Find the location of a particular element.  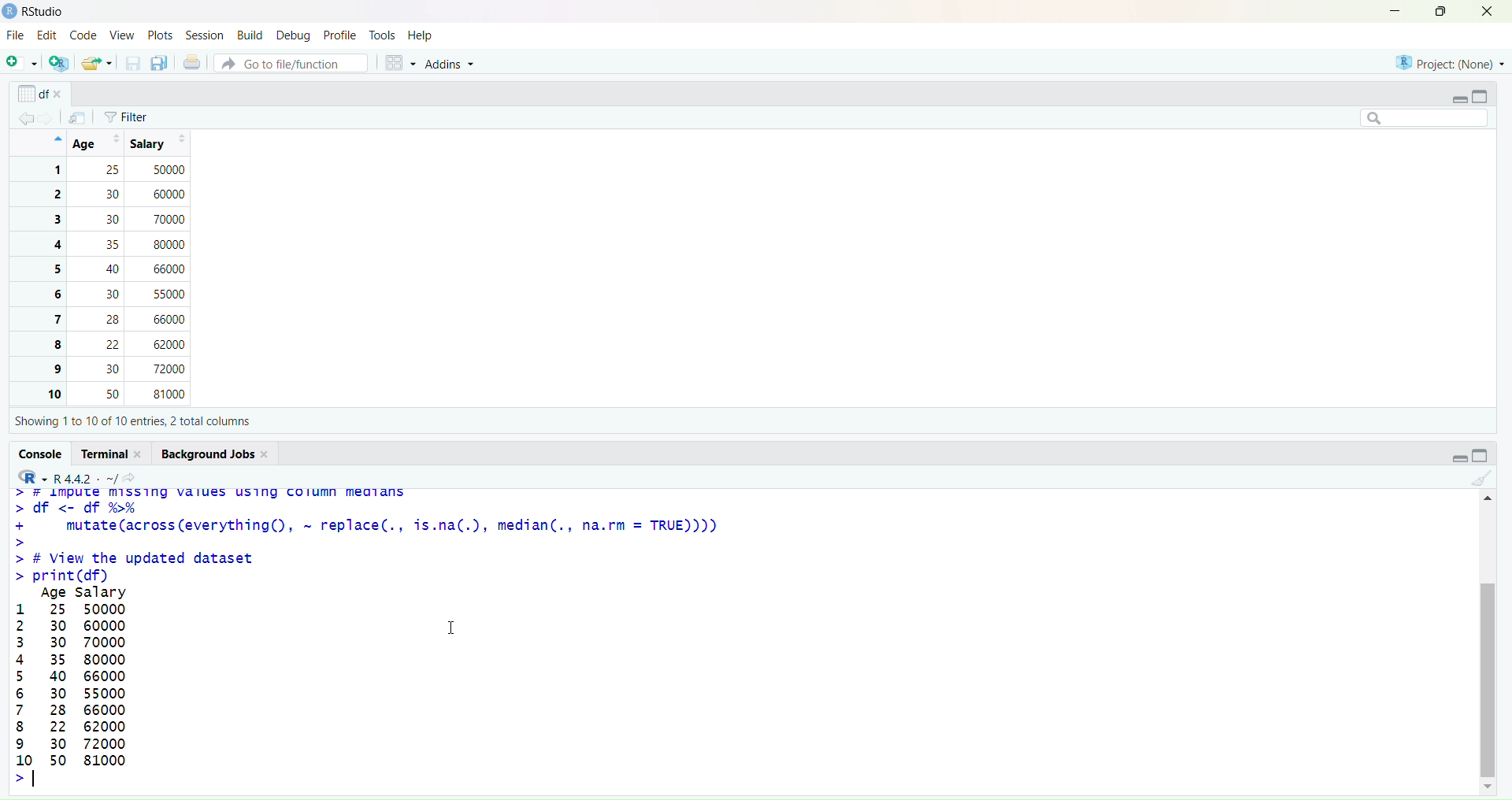

file is located at coordinates (16, 36).